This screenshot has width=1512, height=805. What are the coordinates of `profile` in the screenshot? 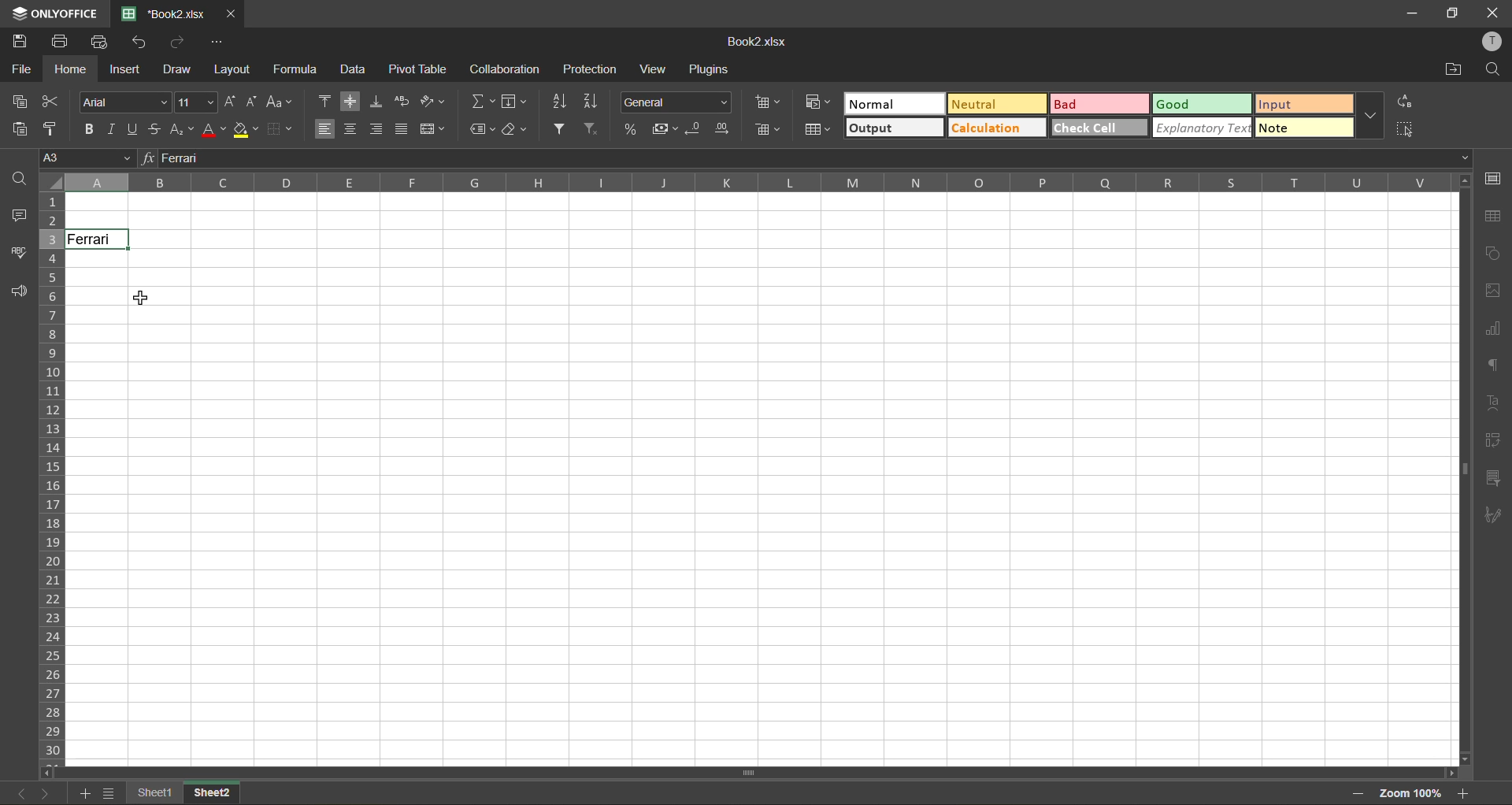 It's located at (1490, 42).